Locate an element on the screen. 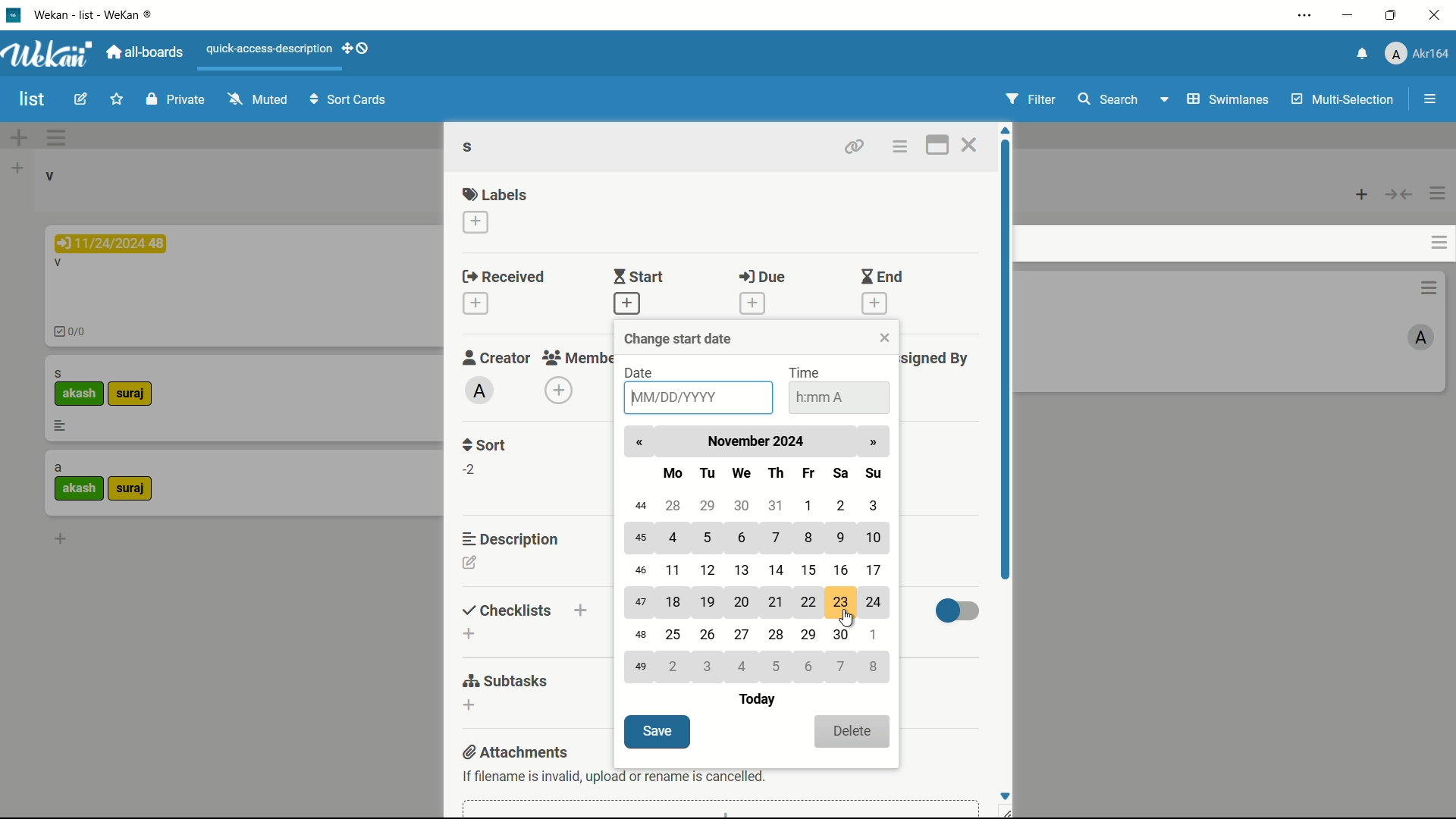  received is located at coordinates (507, 278).